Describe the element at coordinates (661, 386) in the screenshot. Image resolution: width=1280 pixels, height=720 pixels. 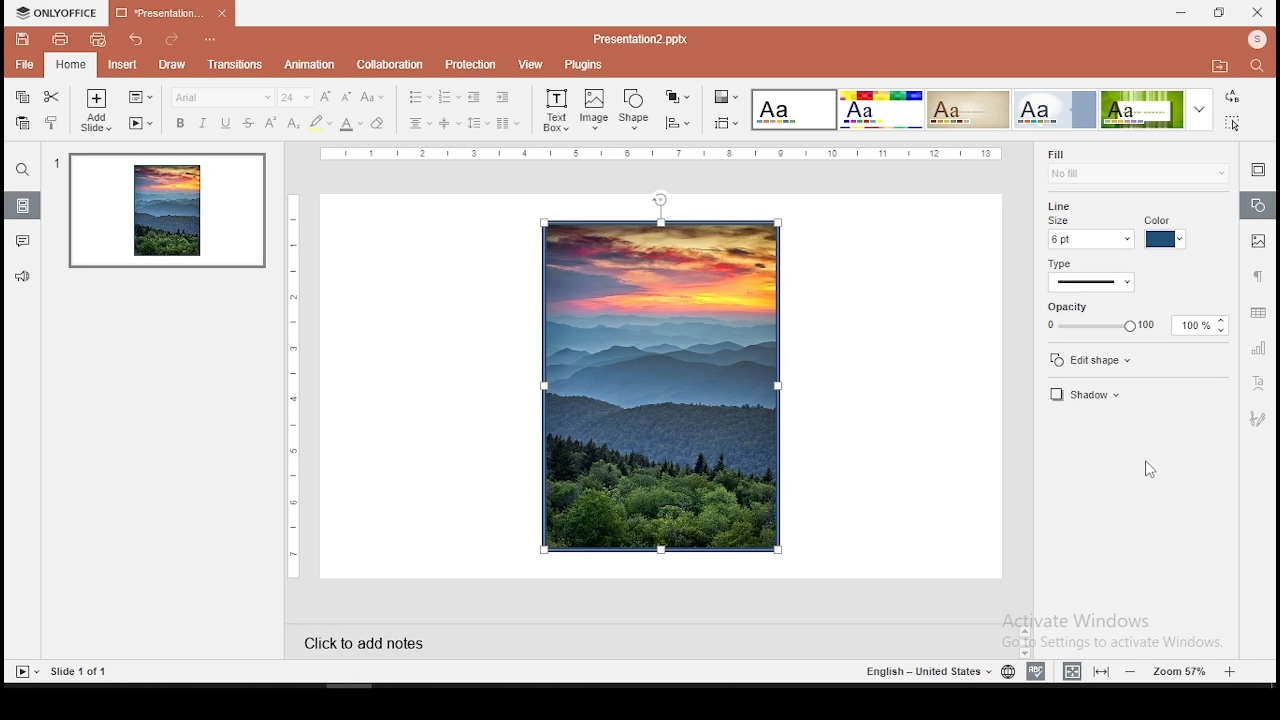
I see `image` at that location.